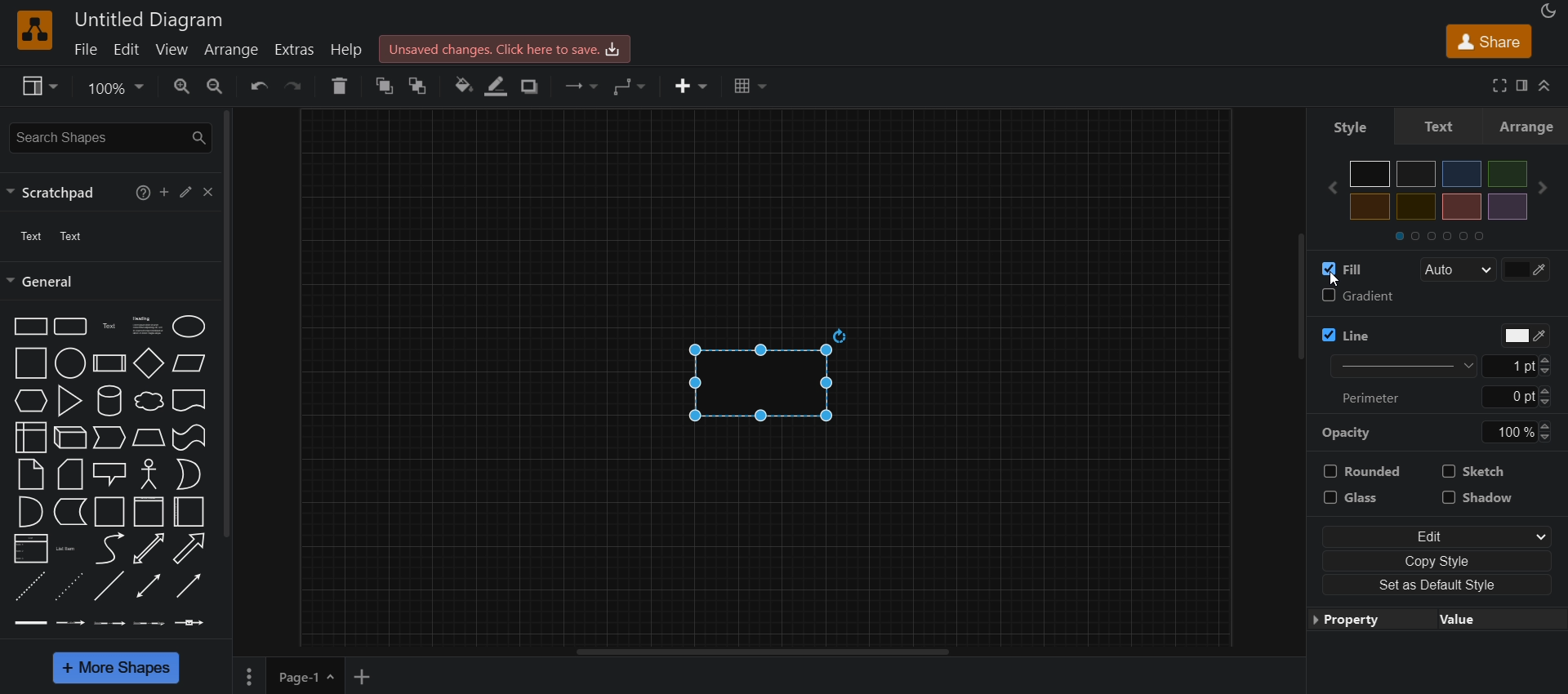 Image resolution: width=1568 pixels, height=694 pixels. Describe the element at coordinates (108, 438) in the screenshot. I see `step` at that location.